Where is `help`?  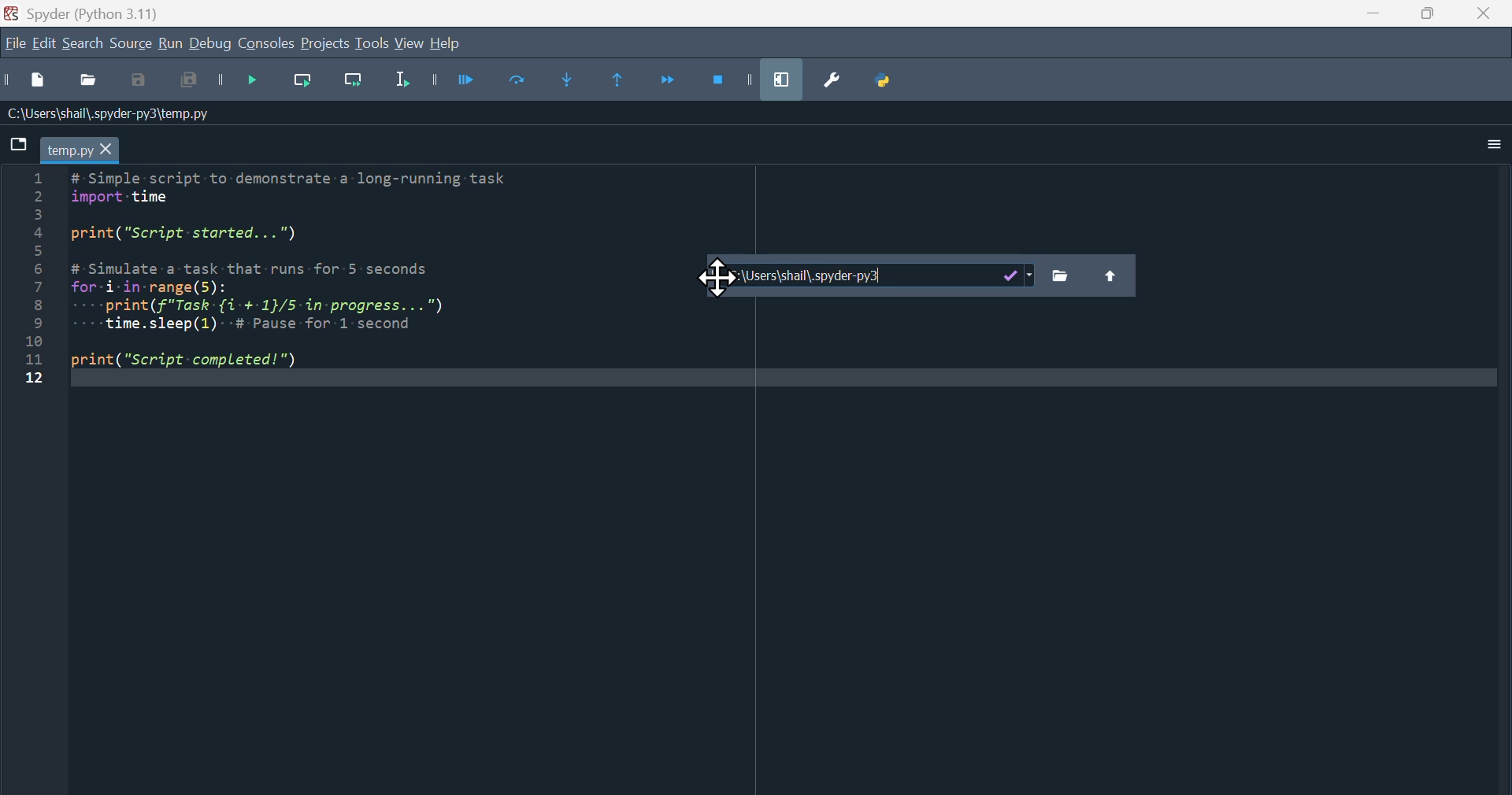 help is located at coordinates (447, 46).